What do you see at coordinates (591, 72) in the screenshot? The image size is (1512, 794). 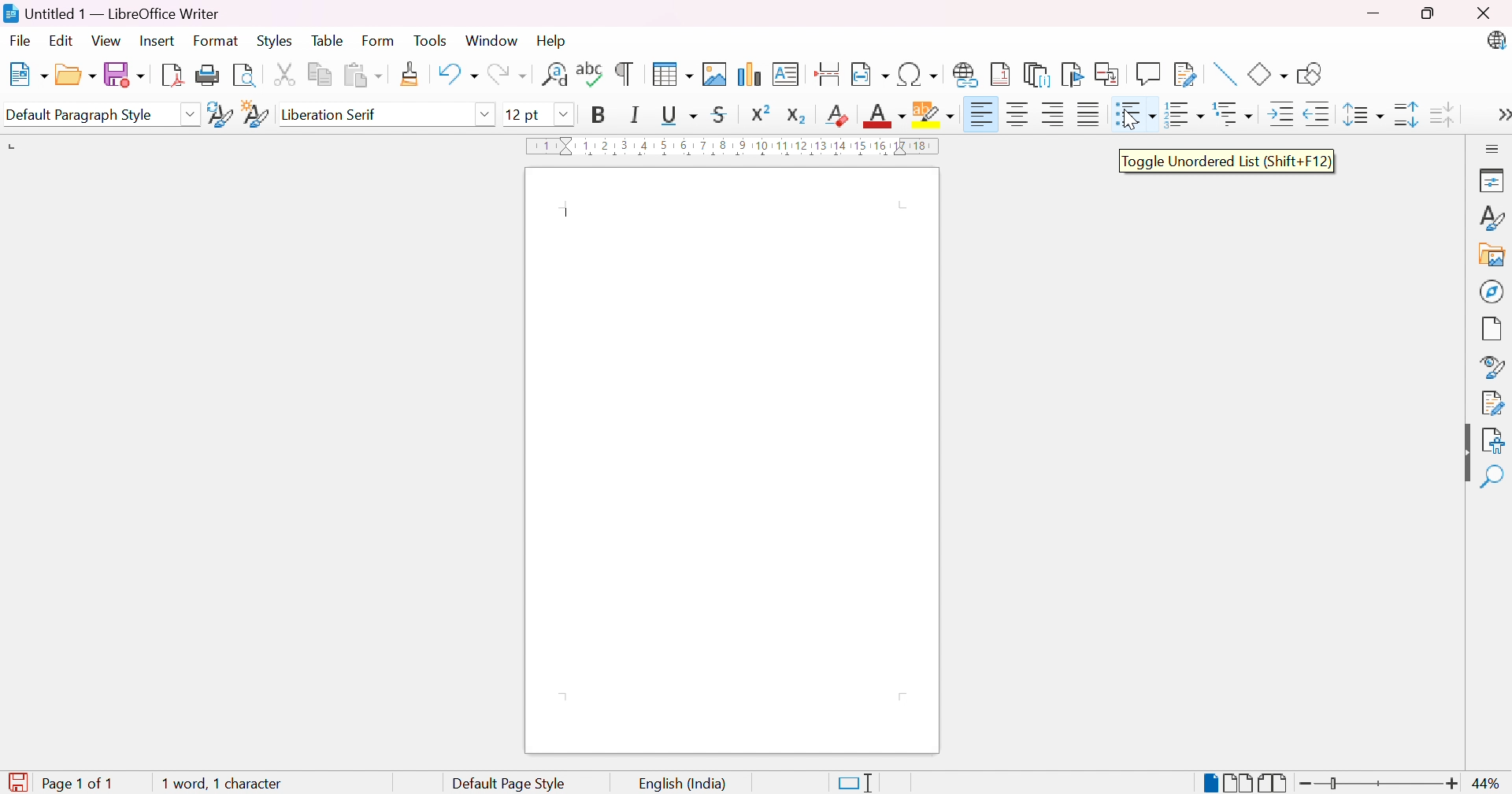 I see `Check spelling` at bounding box center [591, 72].